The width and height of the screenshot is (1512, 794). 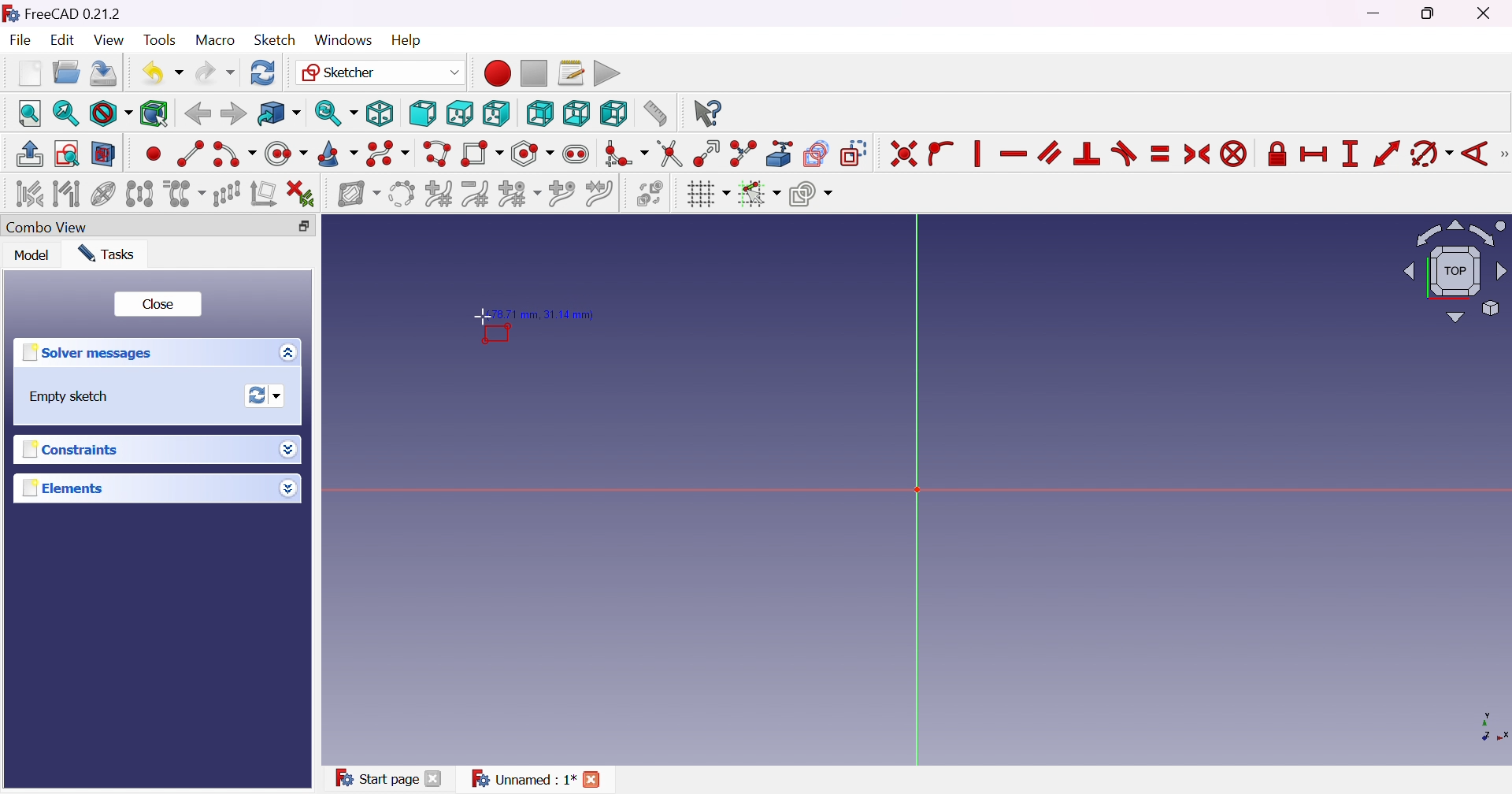 What do you see at coordinates (1473, 155) in the screenshot?
I see `Constrain angle` at bounding box center [1473, 155].